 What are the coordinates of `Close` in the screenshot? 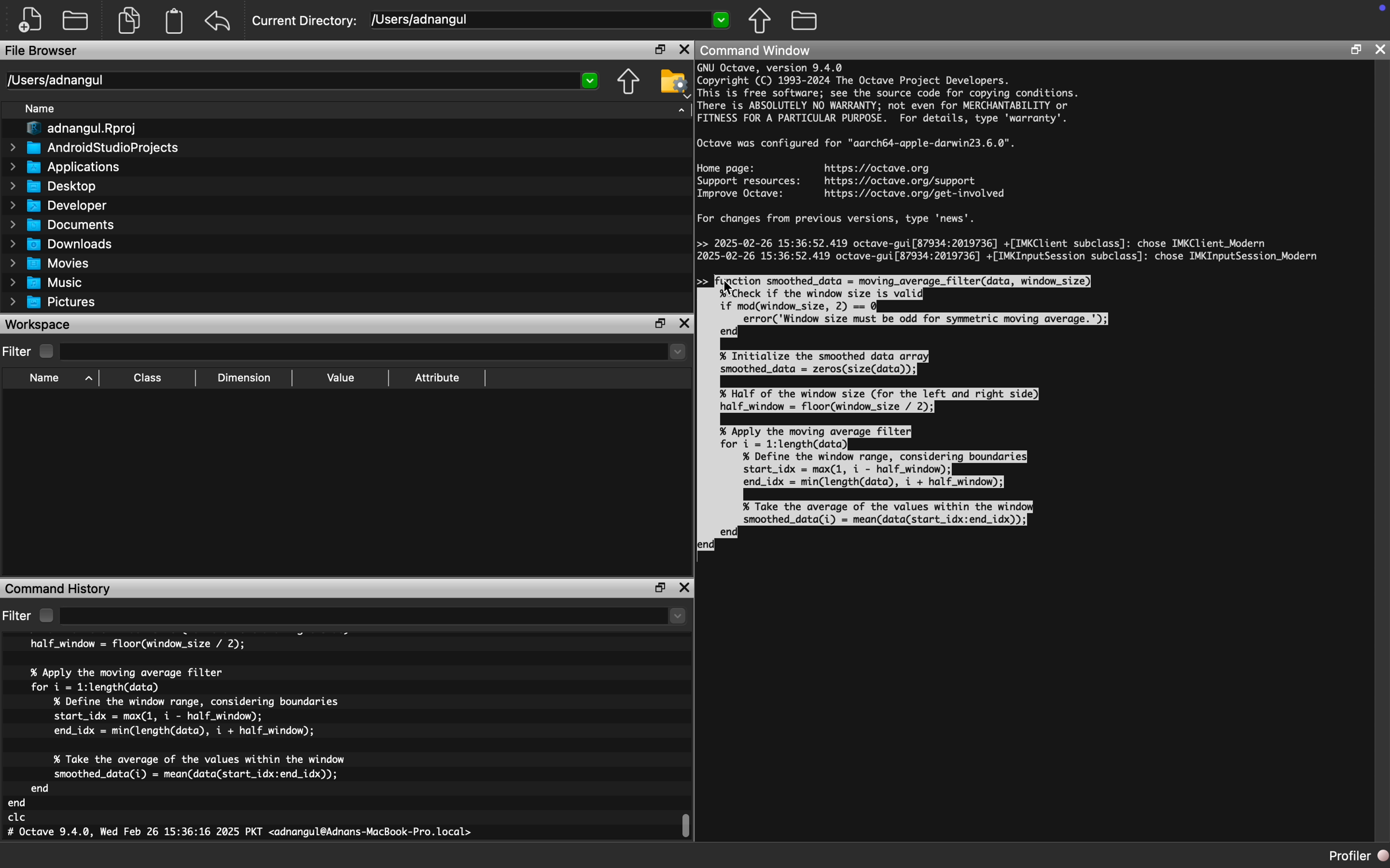 It's located at (685, 323).